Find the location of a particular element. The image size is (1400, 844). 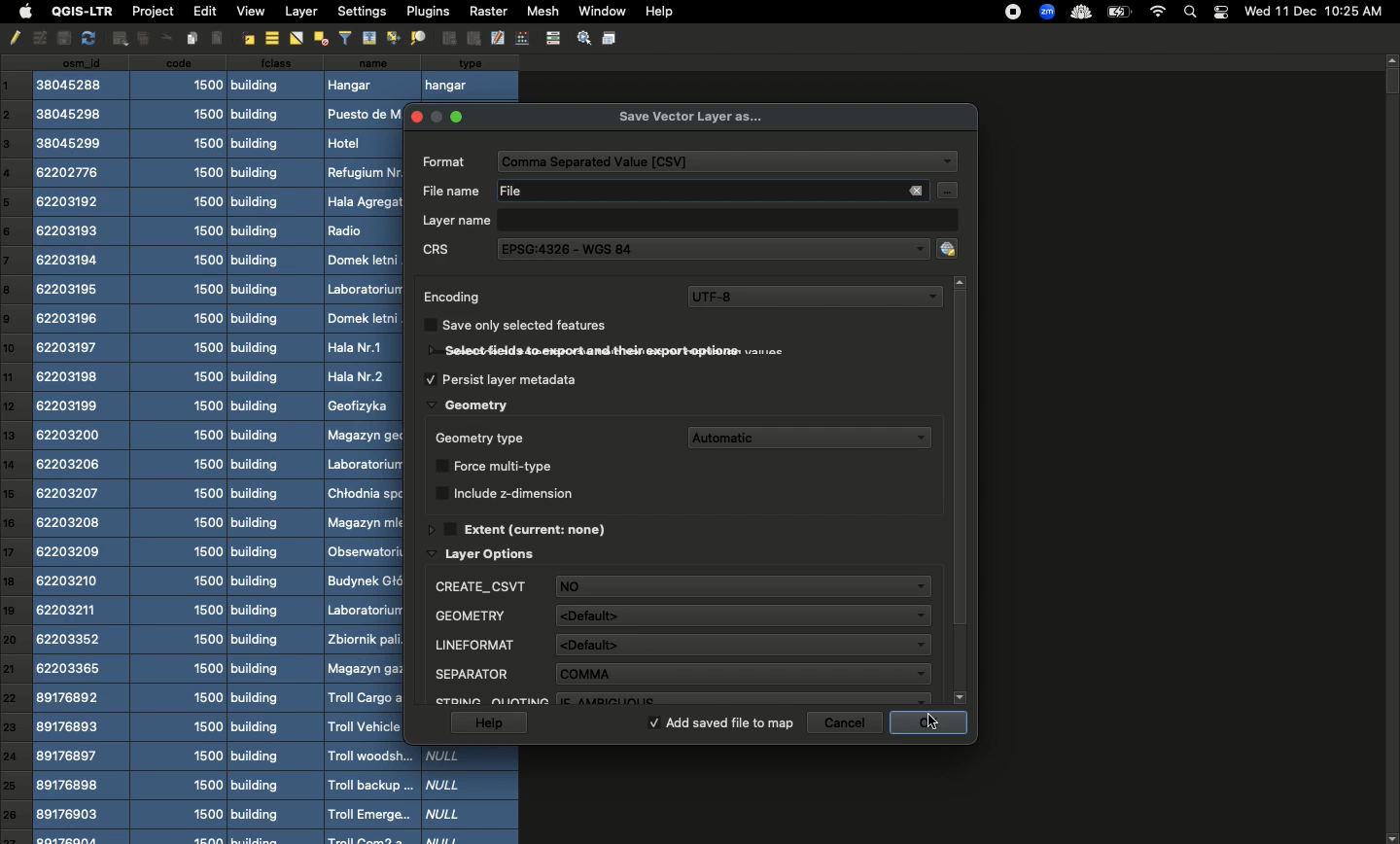

CSV is located at coordinates (731, 159).